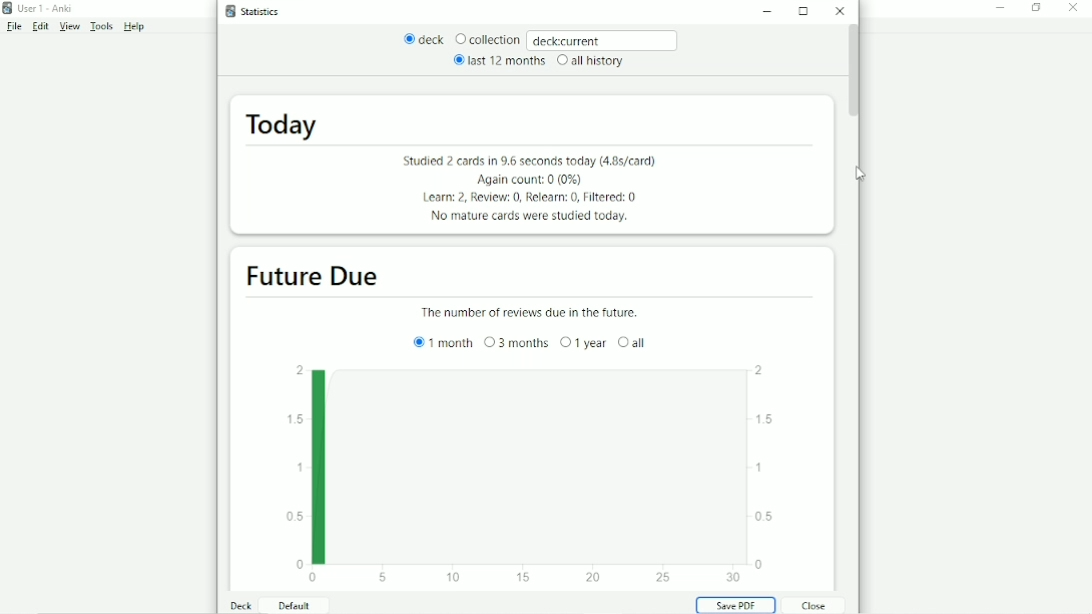 The width and height of the screenshot is (1092, 614). I want to click on deck, so click(424, 40).